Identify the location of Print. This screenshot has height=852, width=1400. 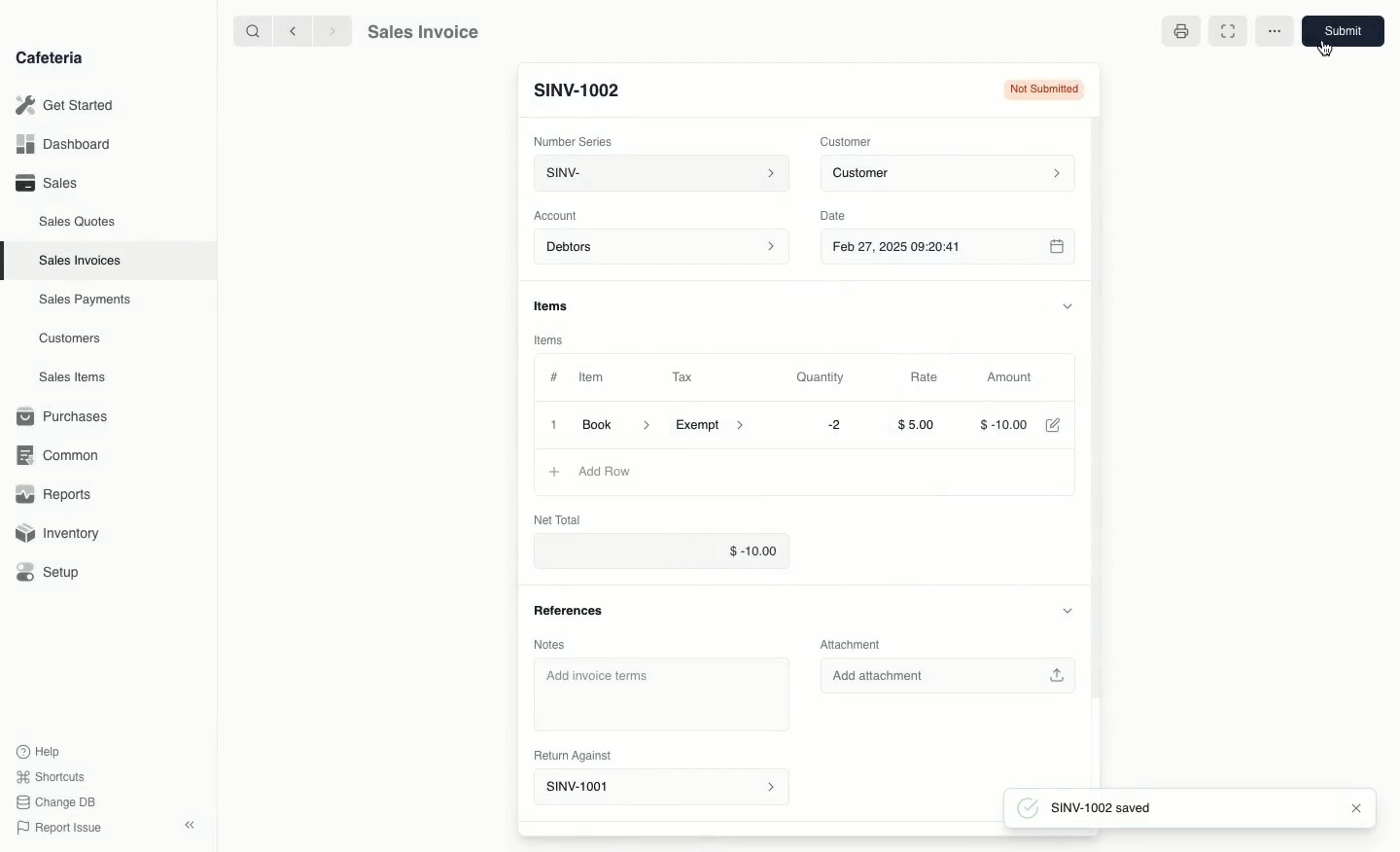
(1179, 31).